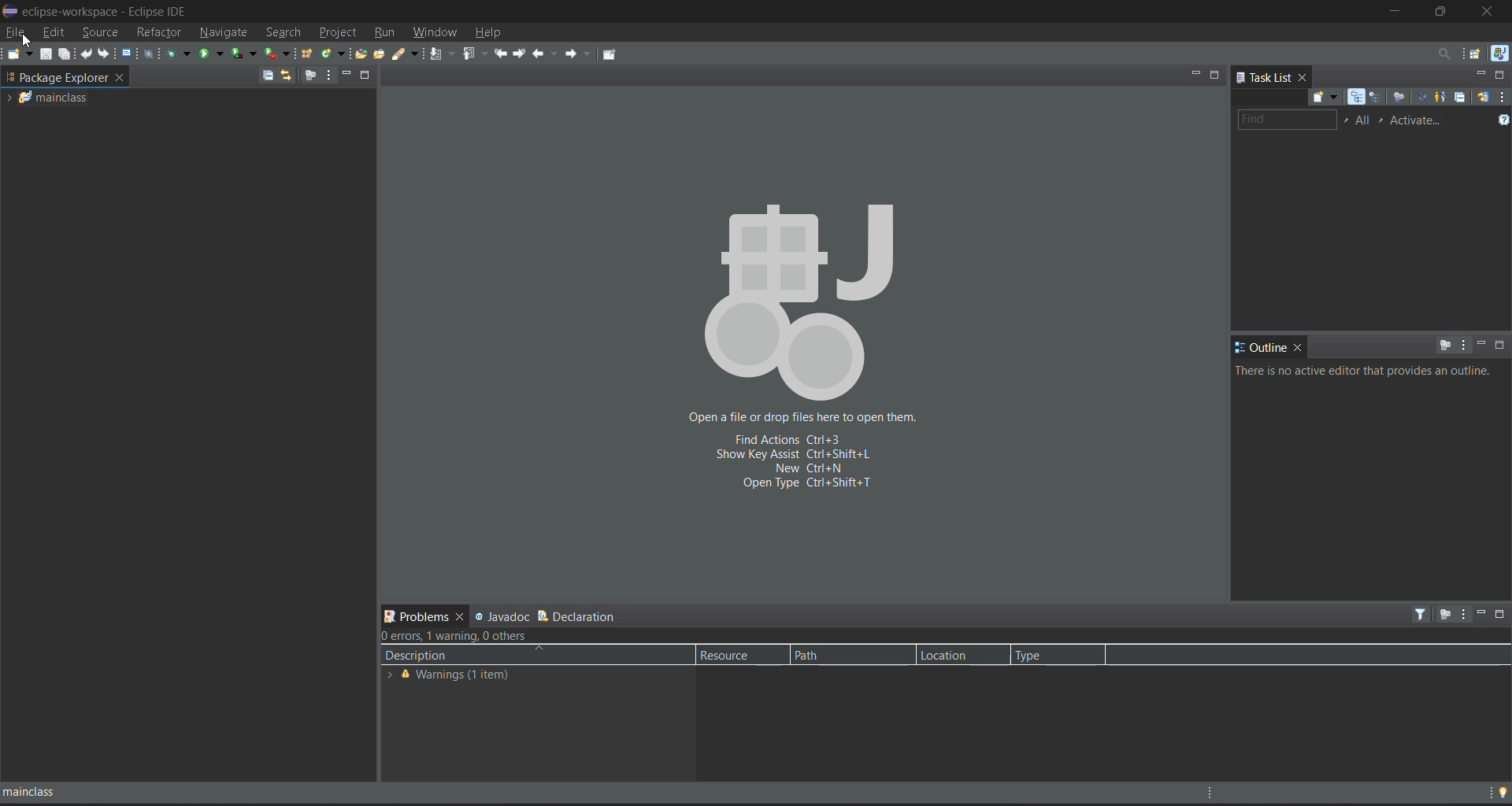 The image size is (1512, 806). I want to click on navigate, so click(222, 32).